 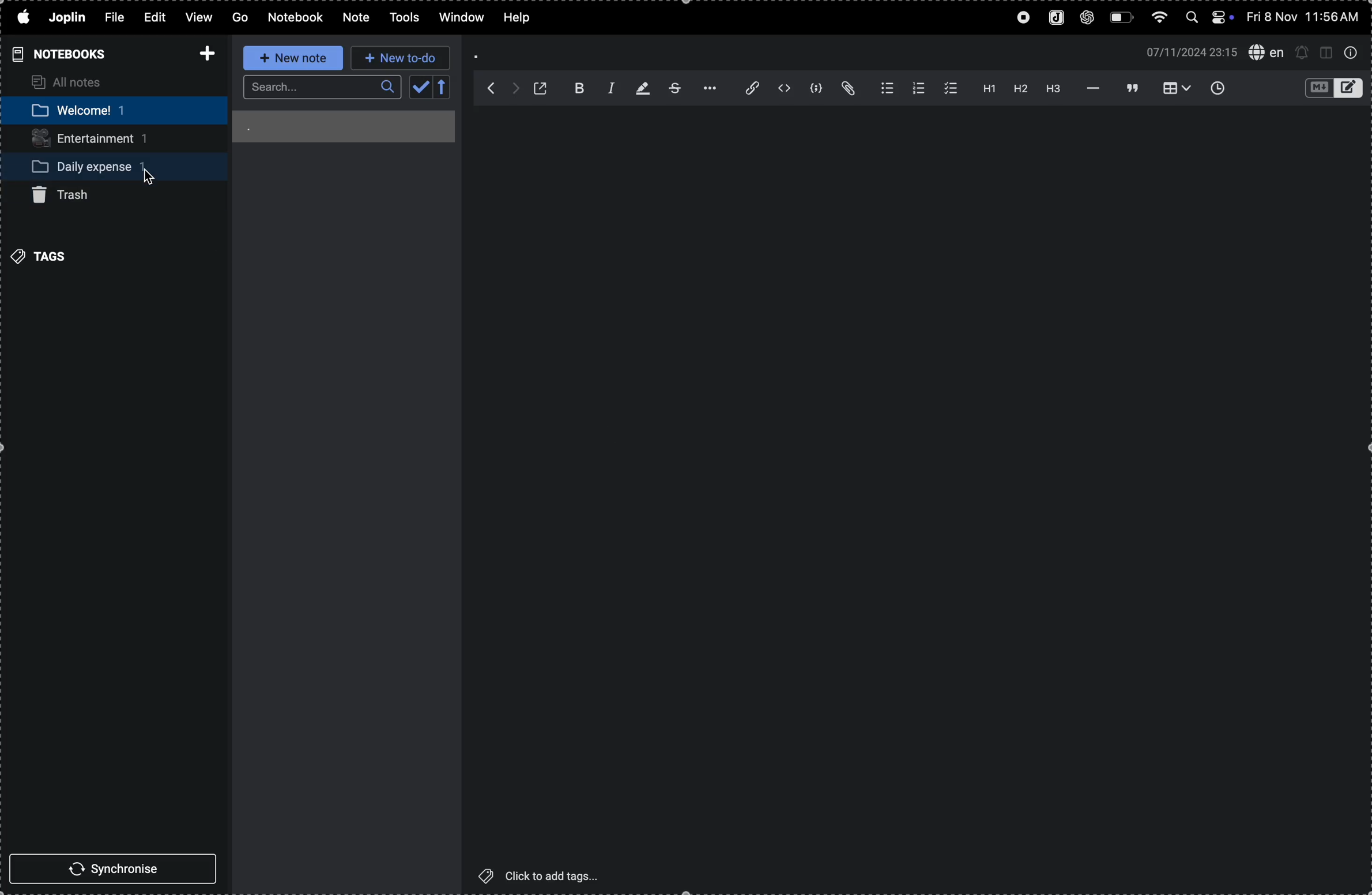 I want to click on synchronise, so click(x=118, y=870).